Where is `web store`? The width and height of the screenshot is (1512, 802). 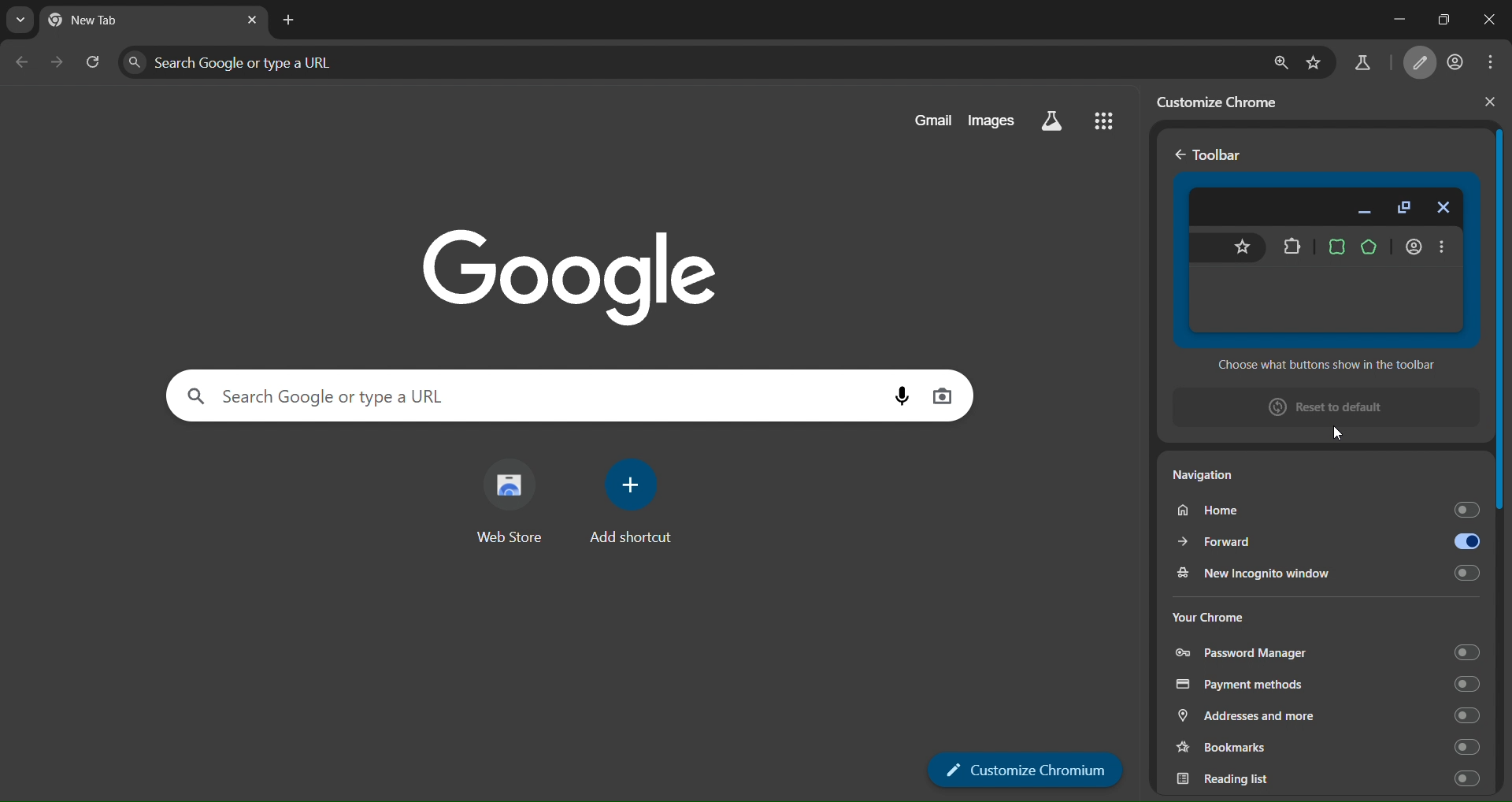 web store is located at coordinates (510, 499).